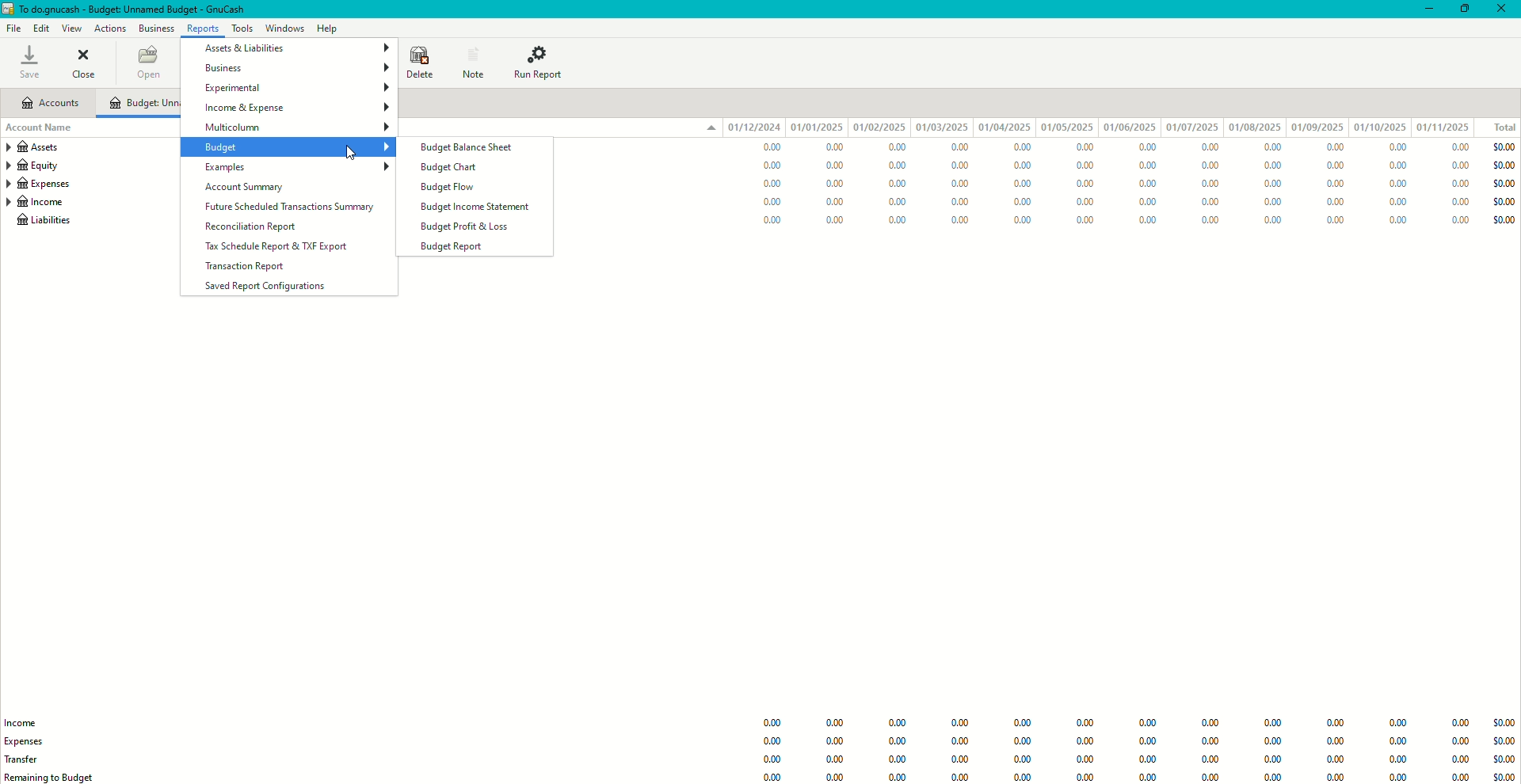 This screenshot has height=784, width=1521. I want to click on 01/06/2025, so click(1129, 128).